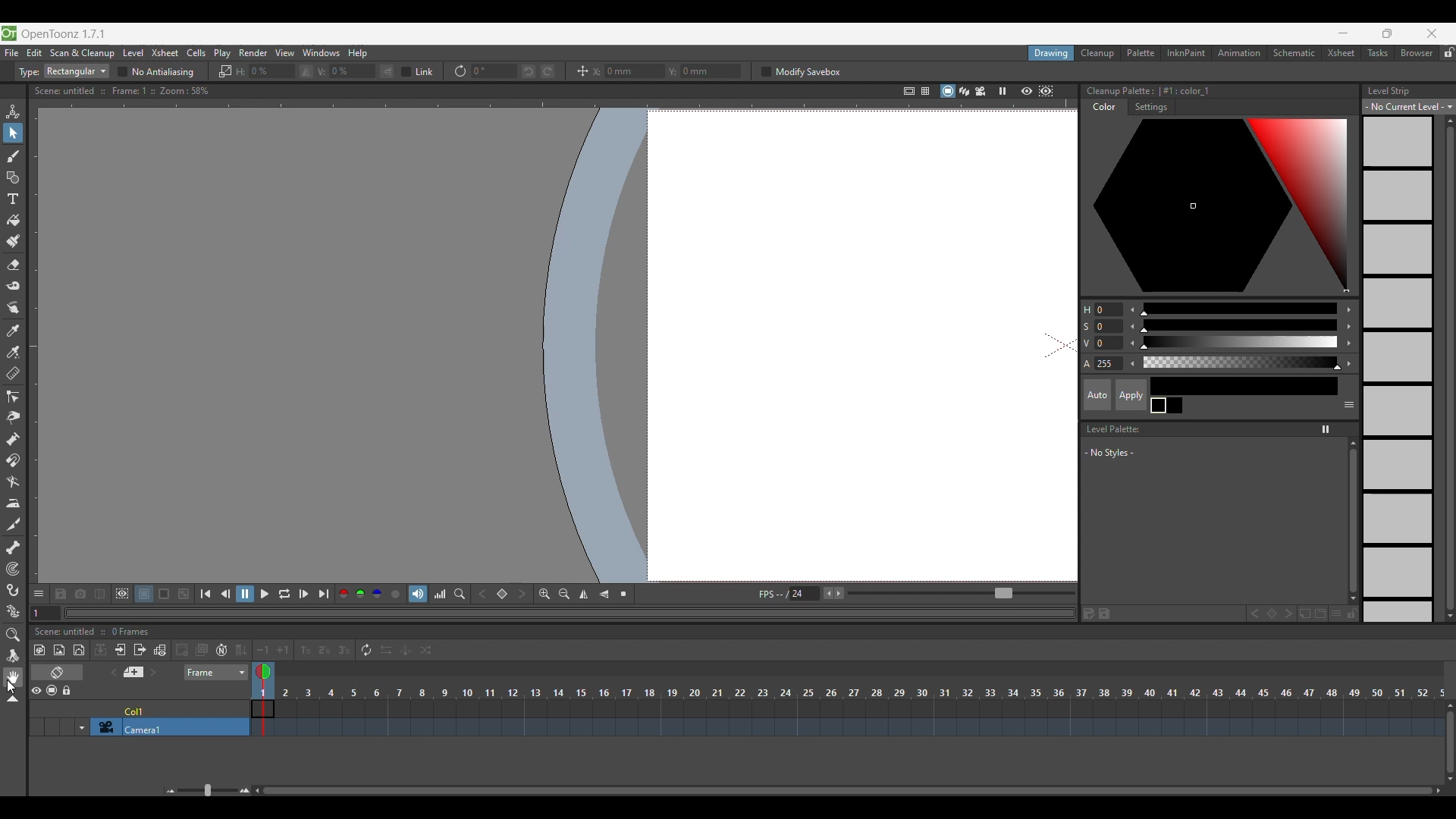 The height and width of the screenshot is (819, 1456). Describe the element at coordinates (79, 650) in the screenshot. I see `New vector level` at that location.